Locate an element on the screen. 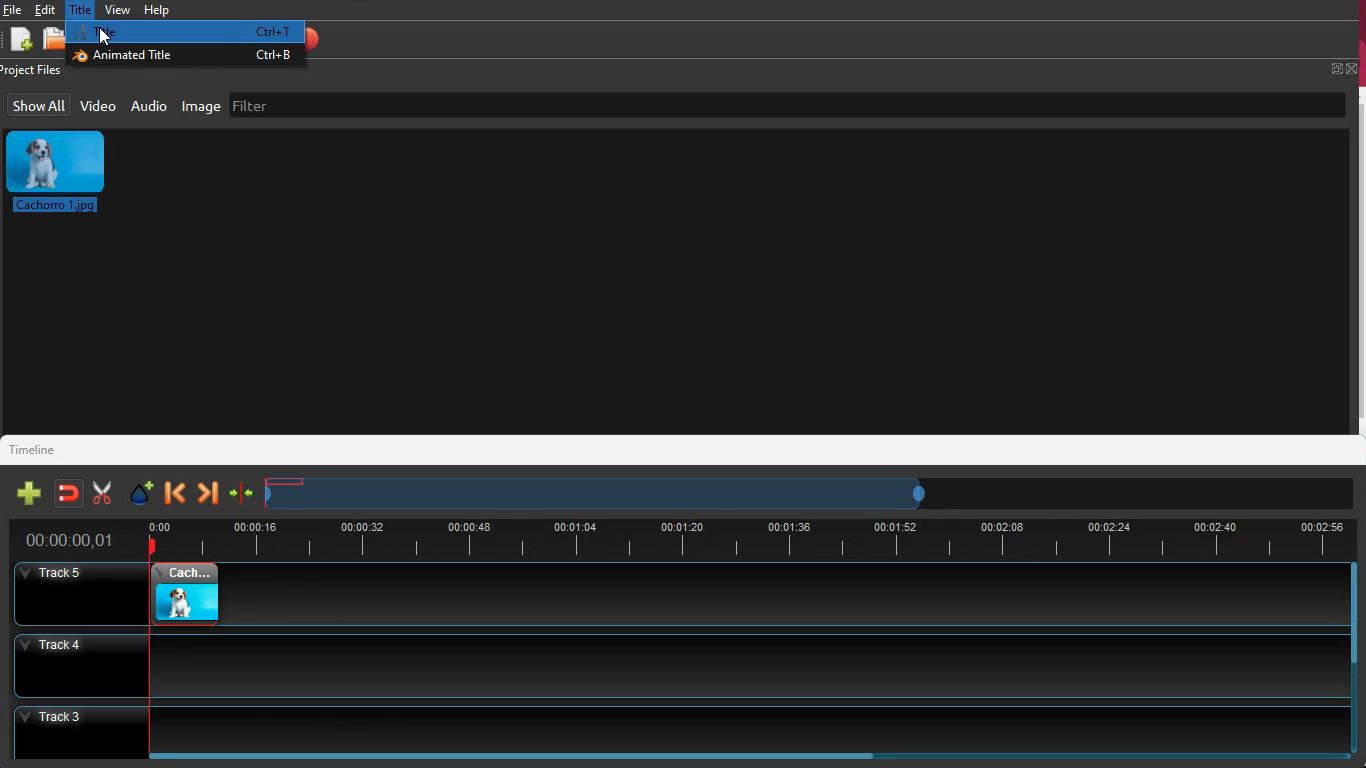 The width and height of the screenshot is (1366, 768). vertical scroll bar is located at coordinates (1357, 611).